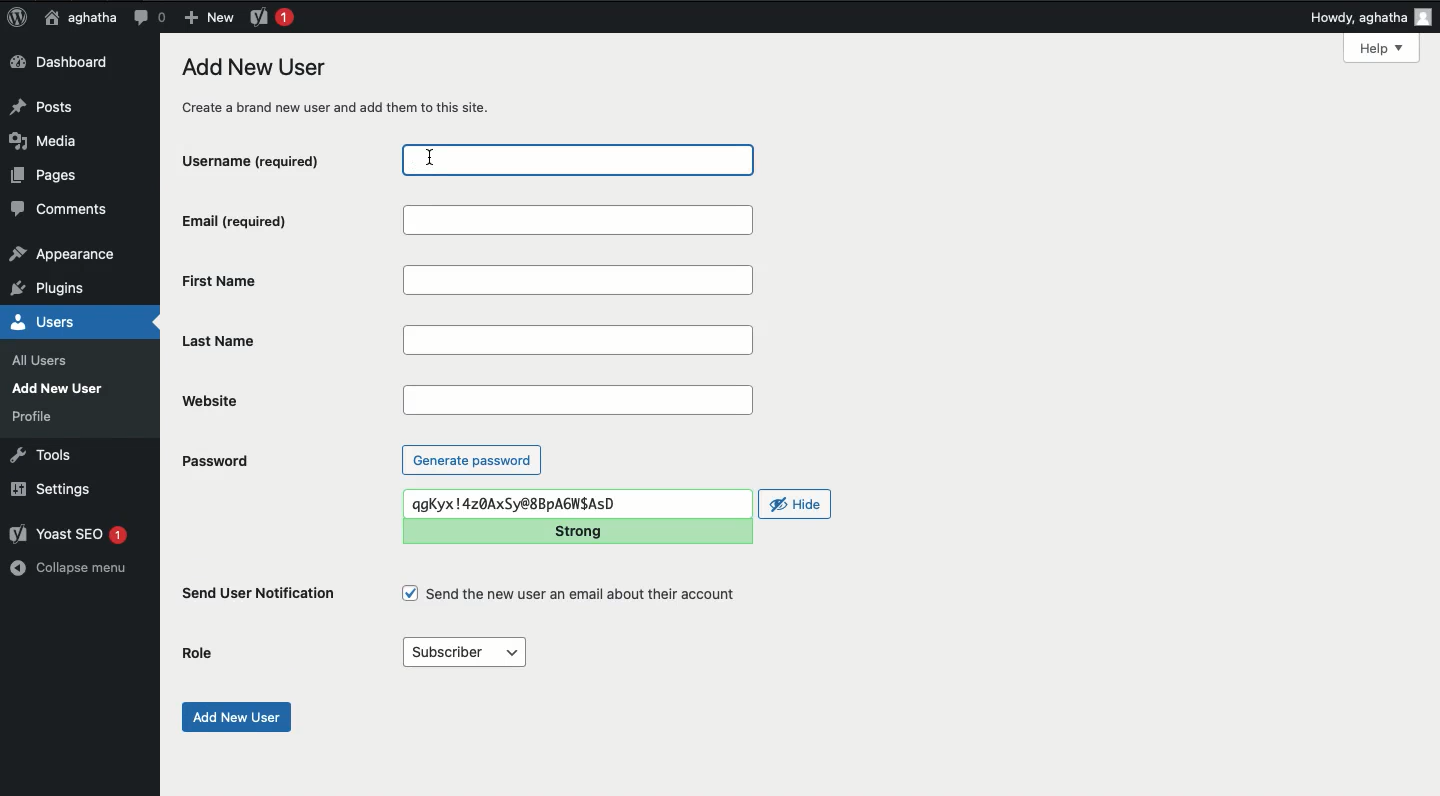  I want to click on Hide, so click(796, 504).